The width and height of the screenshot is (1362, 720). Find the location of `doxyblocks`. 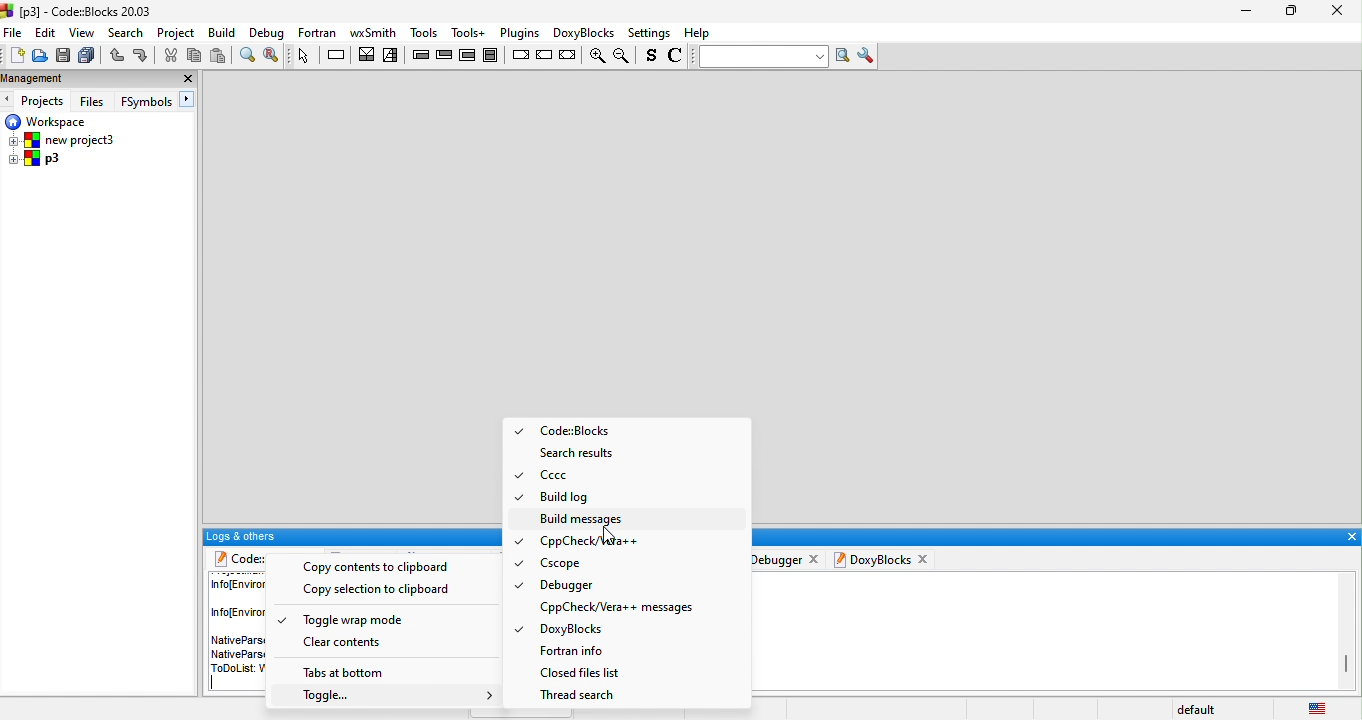

doxyblocks is located at coordinates (604, 631).